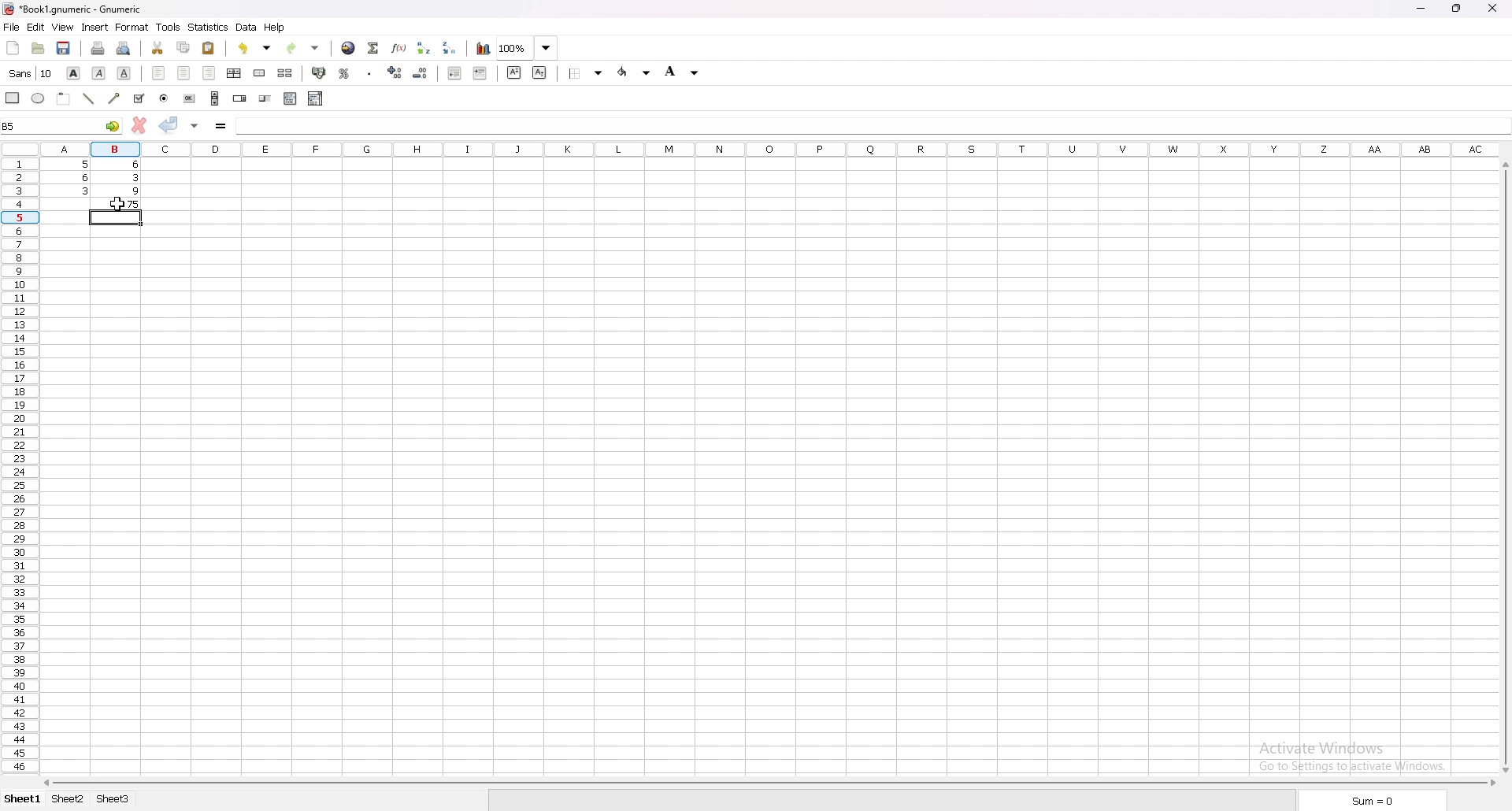 Image resolution: width=1512 pixels, height=811 pixels. Describe the element at coordinates (13, 47) in the screenshot. I see `new` at that location.